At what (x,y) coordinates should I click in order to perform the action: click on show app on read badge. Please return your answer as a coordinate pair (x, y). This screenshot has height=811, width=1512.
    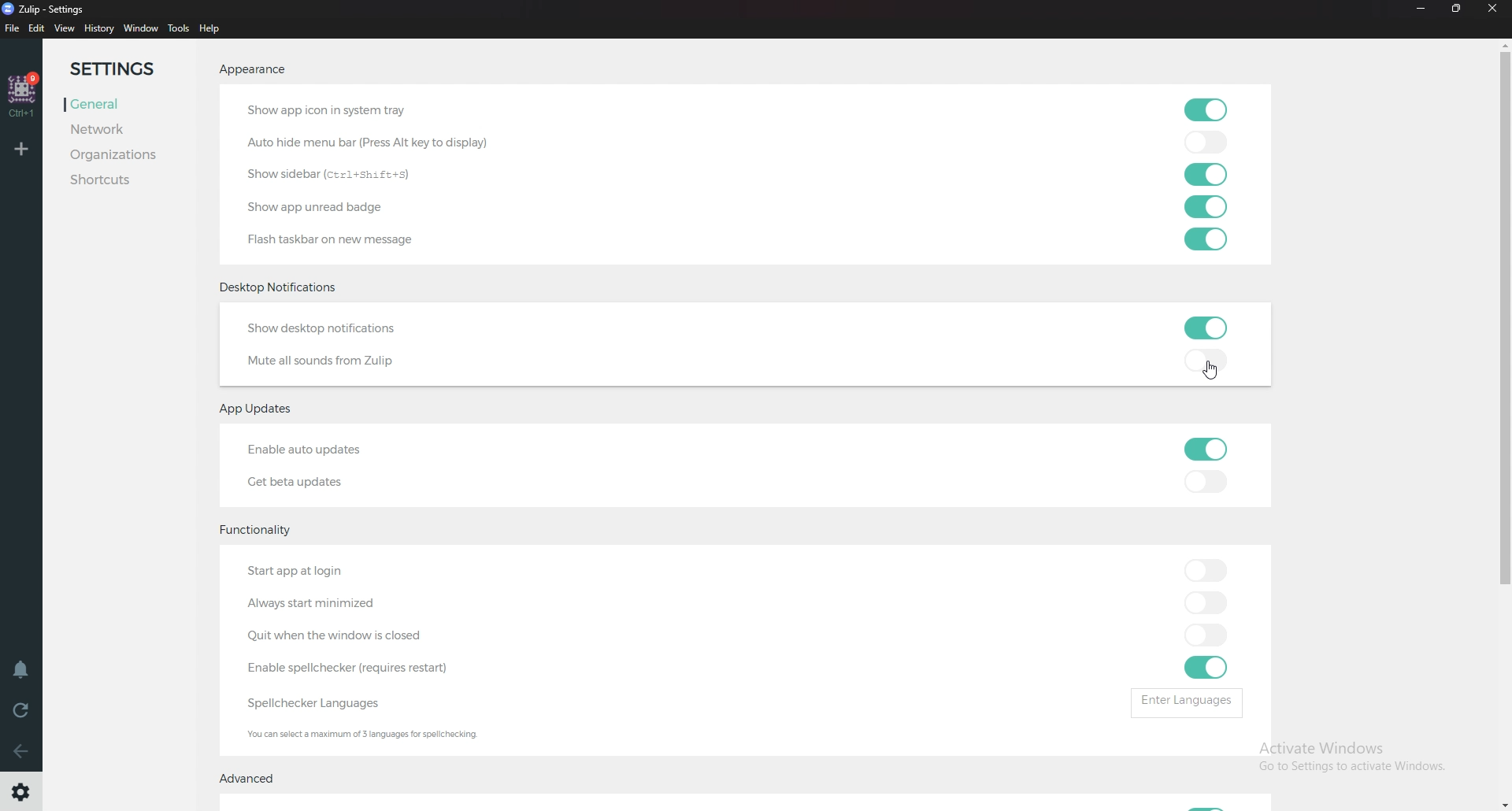
    Looking at the image, I should click on (321, 207).